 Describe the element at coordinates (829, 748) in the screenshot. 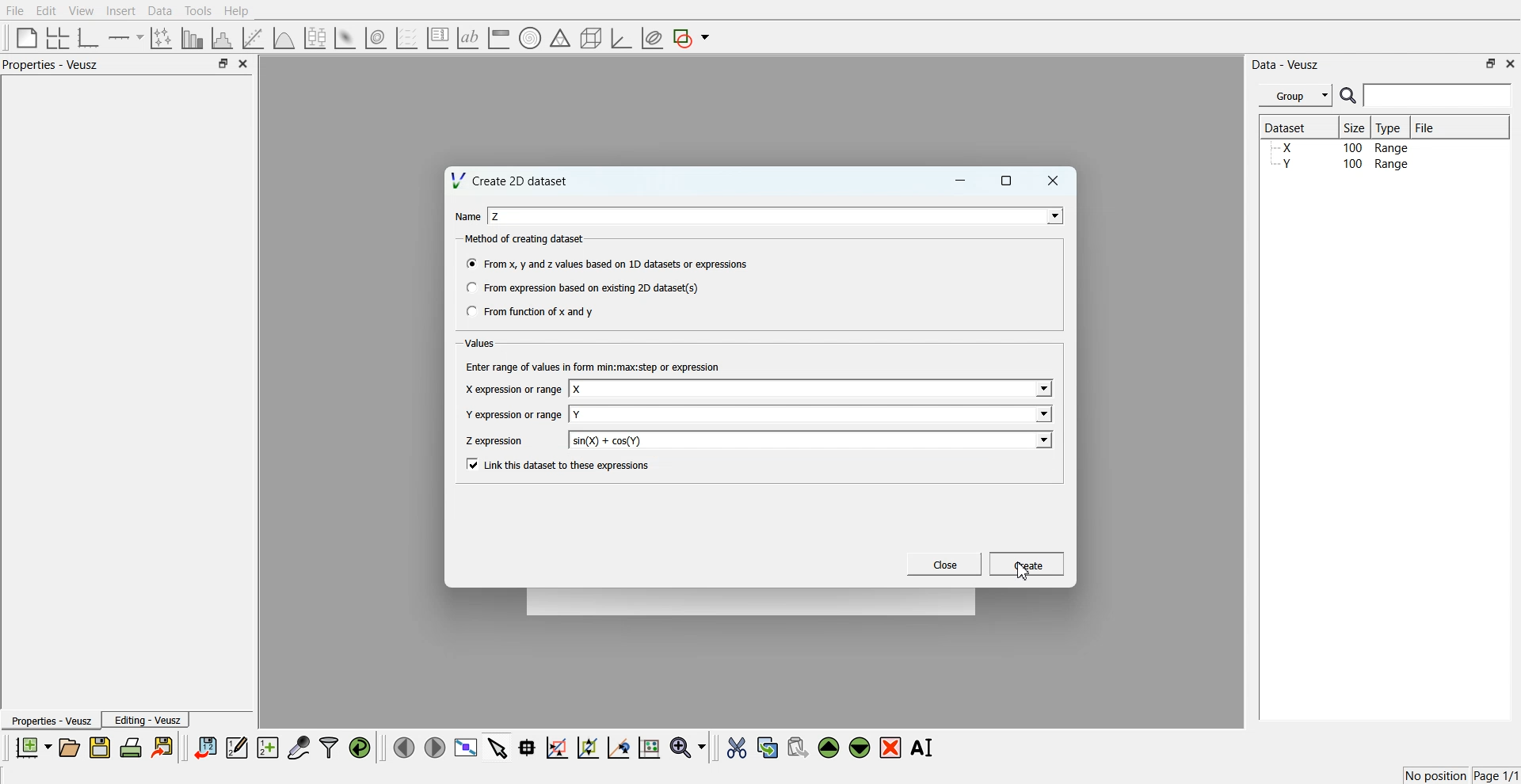

I see `Move up the selected widget` at that location.